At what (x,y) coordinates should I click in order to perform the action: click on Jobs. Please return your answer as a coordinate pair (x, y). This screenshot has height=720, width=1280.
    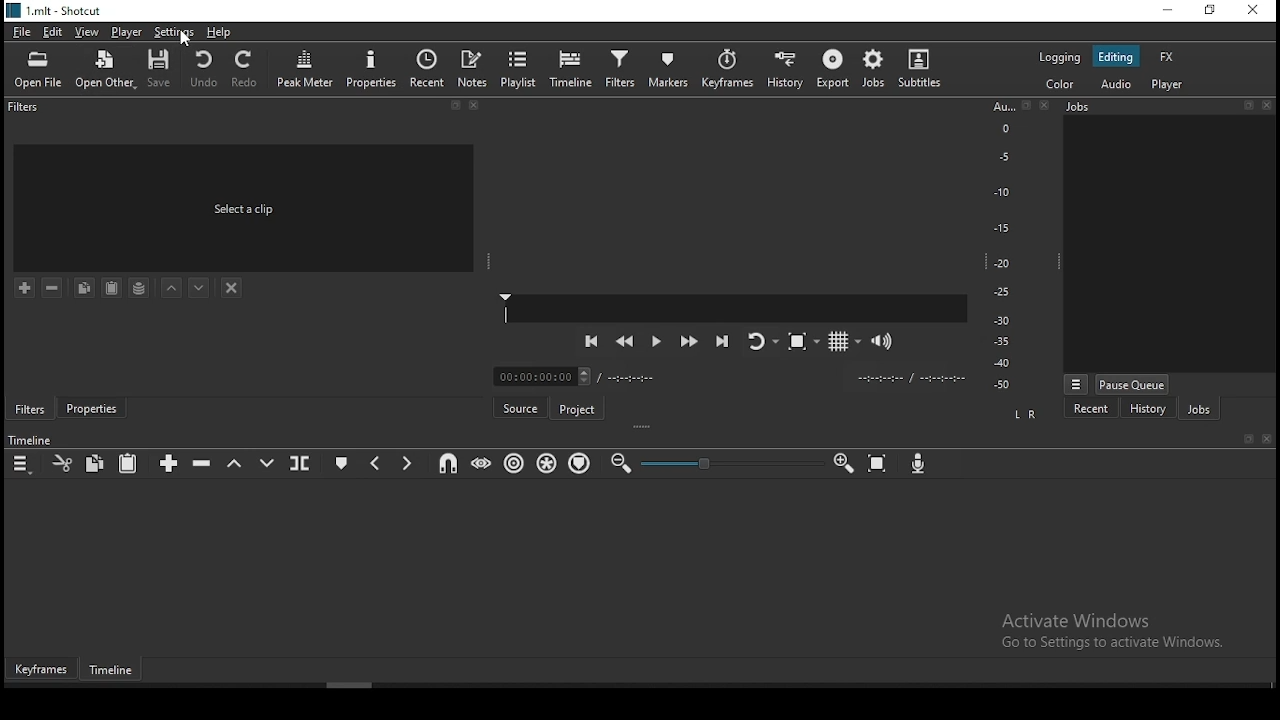
    Looking at the image, I should click on (1124, 110).